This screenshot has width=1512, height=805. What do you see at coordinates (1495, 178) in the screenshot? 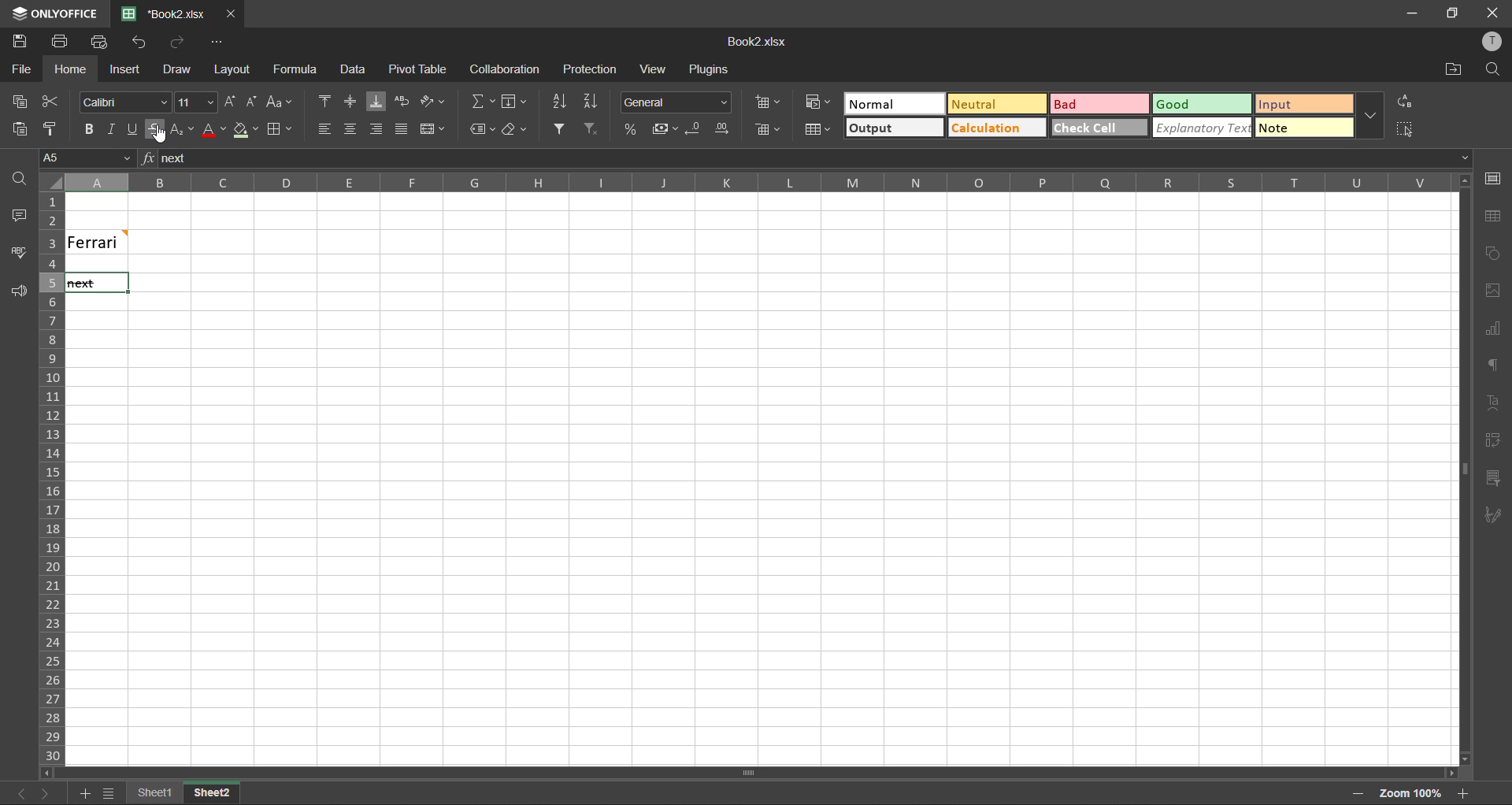
I see `cell settings` at bounding box center [1495, 178].